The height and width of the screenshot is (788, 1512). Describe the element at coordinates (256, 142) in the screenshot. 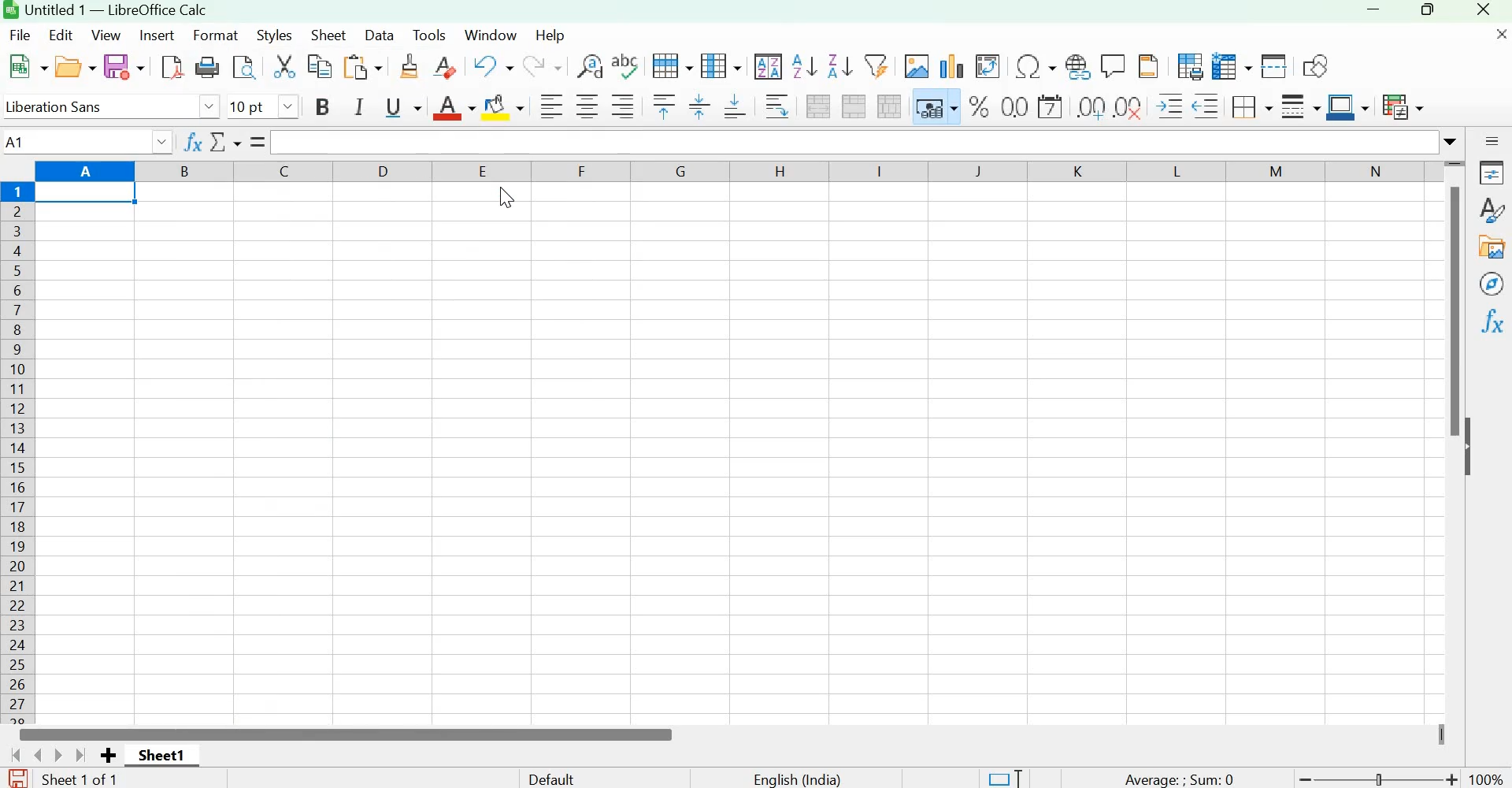

I see `Formula` at that location.